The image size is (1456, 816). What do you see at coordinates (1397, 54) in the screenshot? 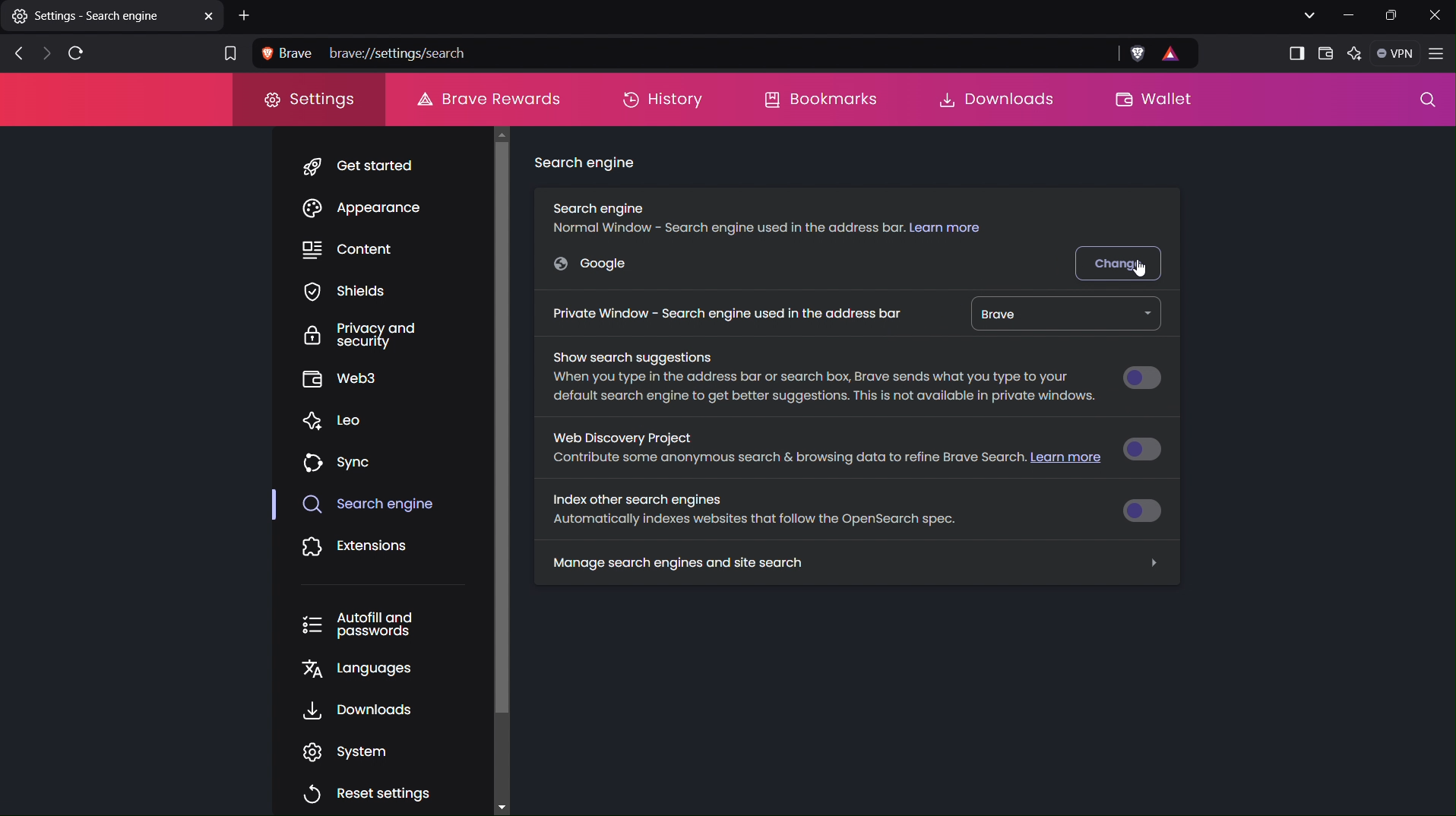
I see `VPN` at bounding box center [1397, 54].